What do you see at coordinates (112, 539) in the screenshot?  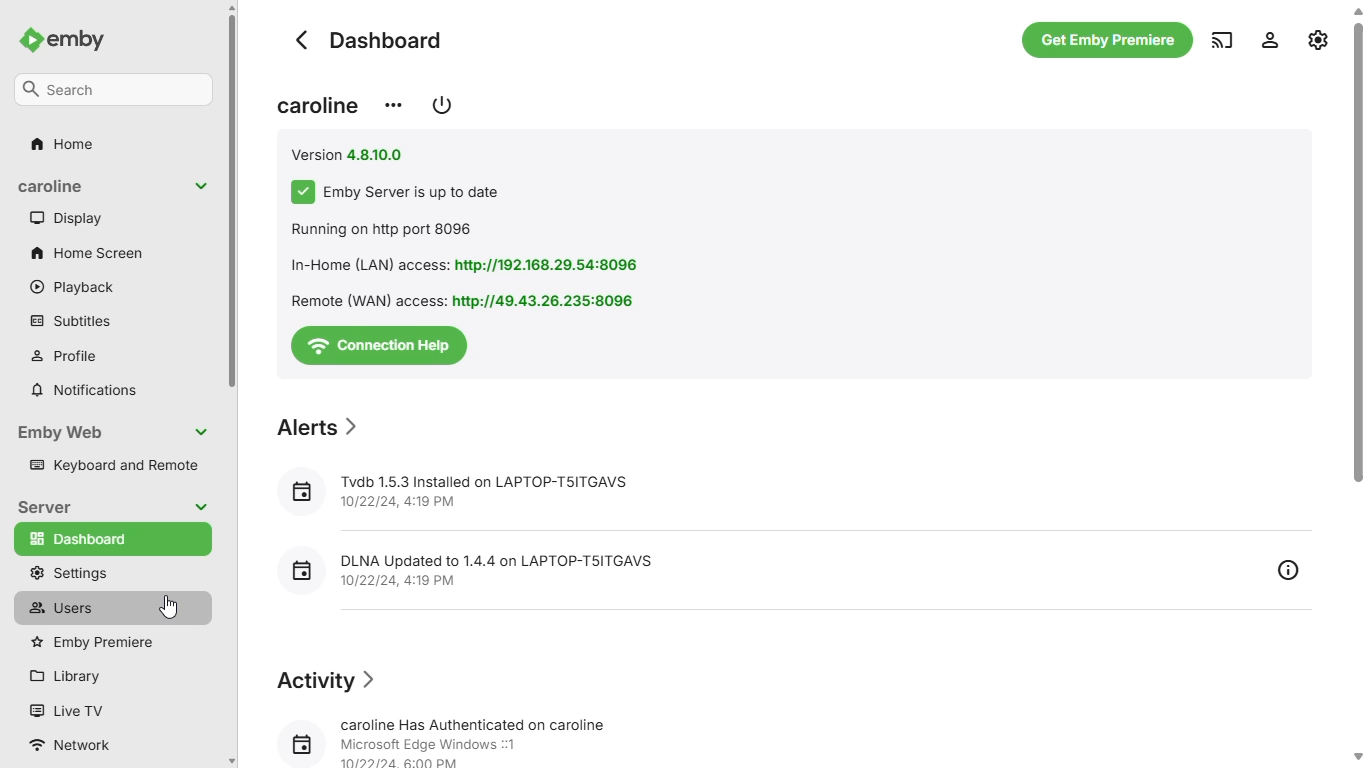 I see `dashboard` at bounding box center [112, 539].